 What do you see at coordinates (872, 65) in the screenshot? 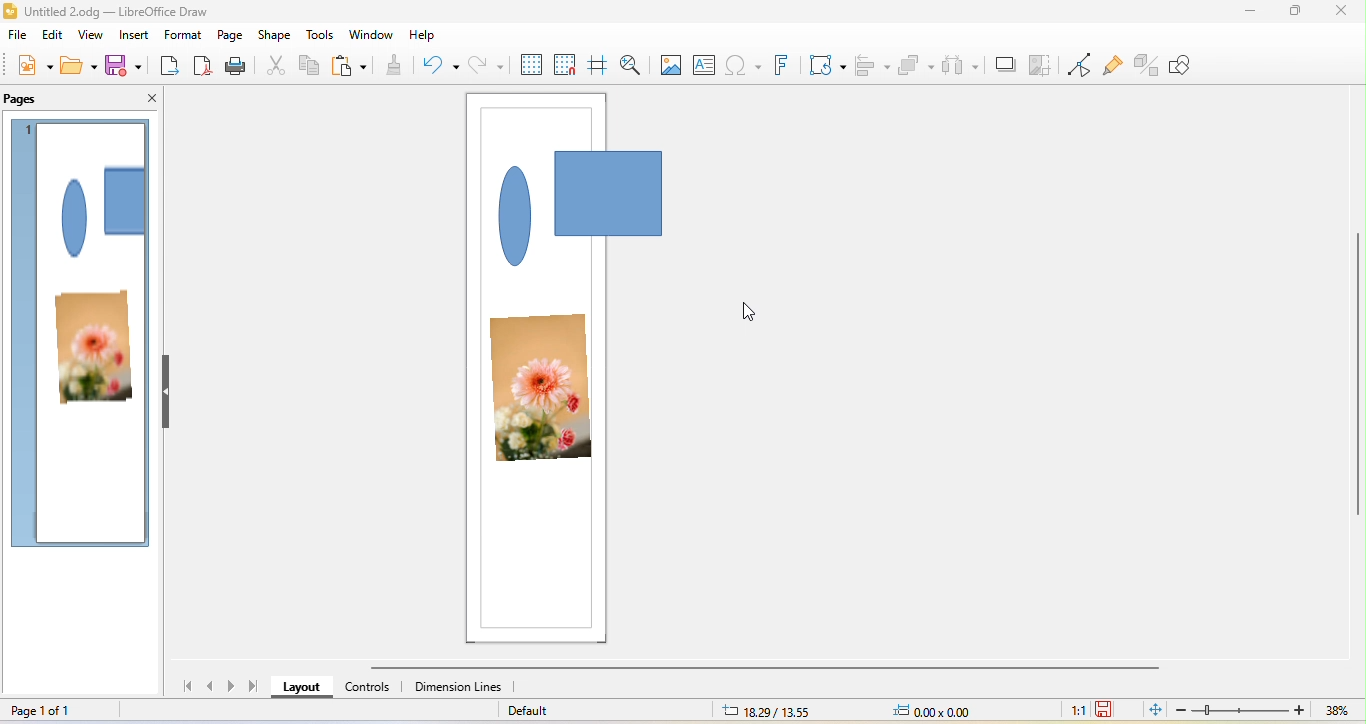
I see `align object` at bounding box center [872, 65].